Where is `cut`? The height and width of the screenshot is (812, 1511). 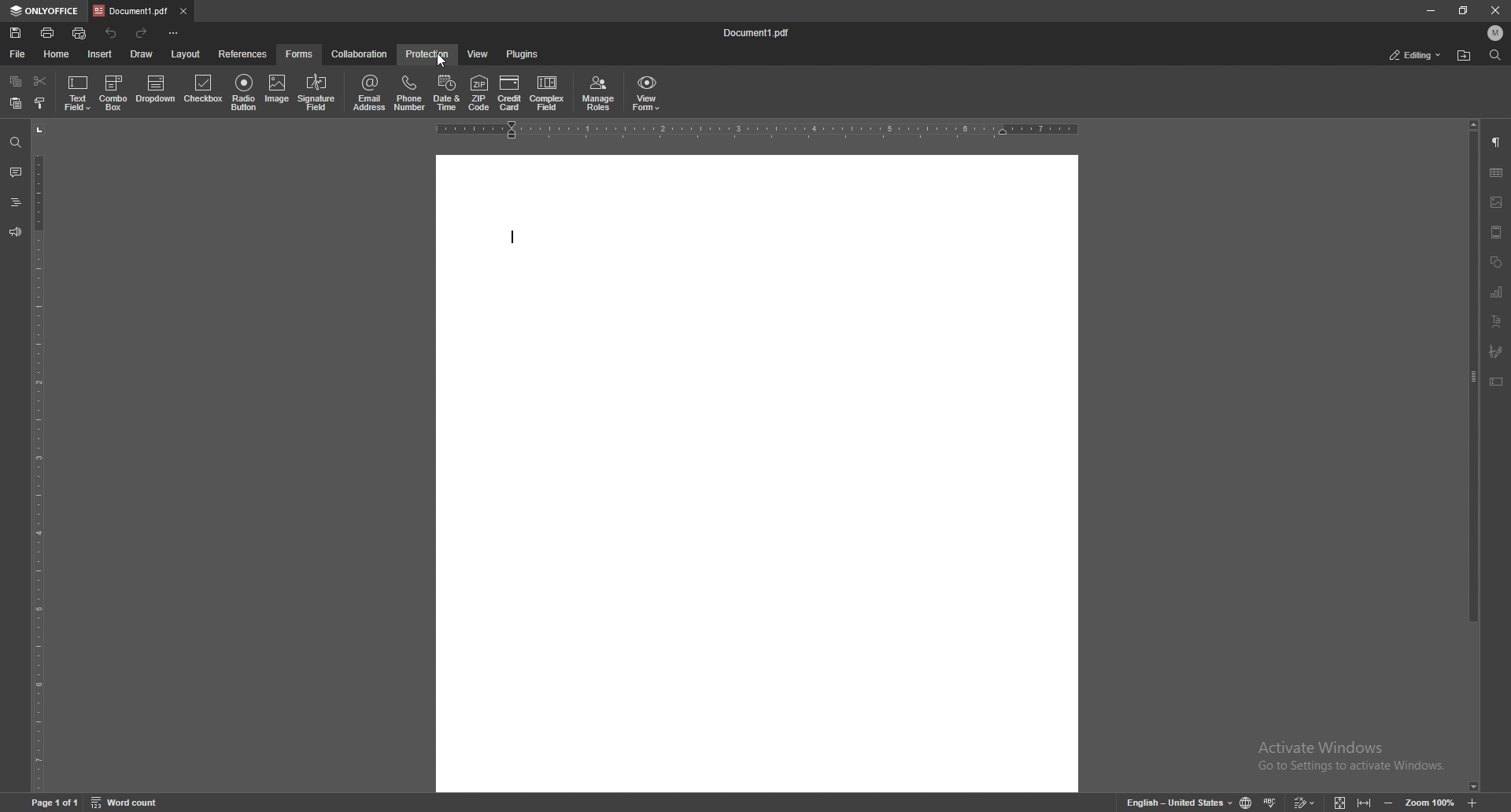
cut is located at coordinates (39, 80).